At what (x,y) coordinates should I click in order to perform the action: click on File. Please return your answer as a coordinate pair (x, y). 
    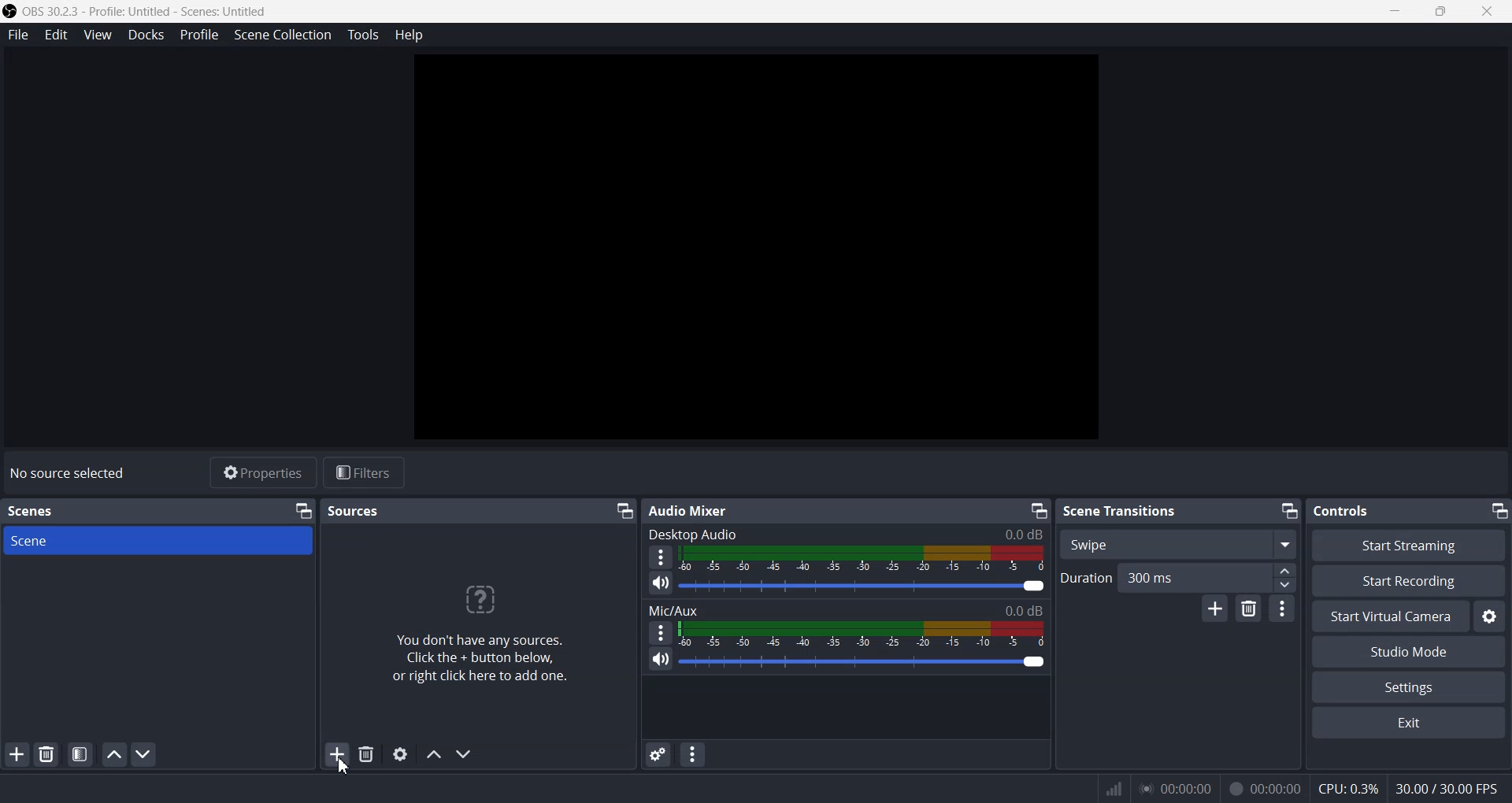
    Looking at the image, I should click on (17, 34).